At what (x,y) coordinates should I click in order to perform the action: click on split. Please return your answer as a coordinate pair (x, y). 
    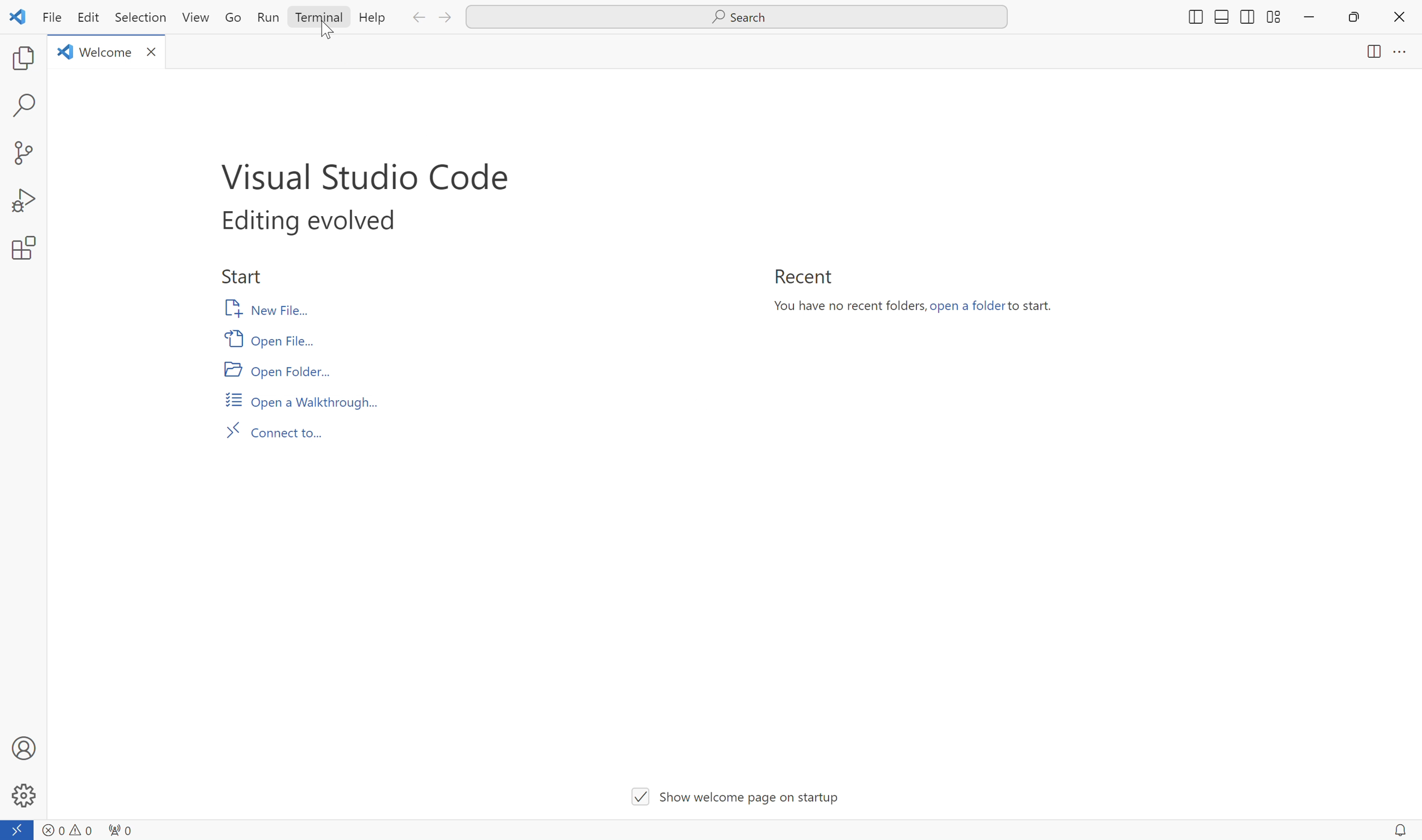
    Looking at the image, I should click on (1369, 54).